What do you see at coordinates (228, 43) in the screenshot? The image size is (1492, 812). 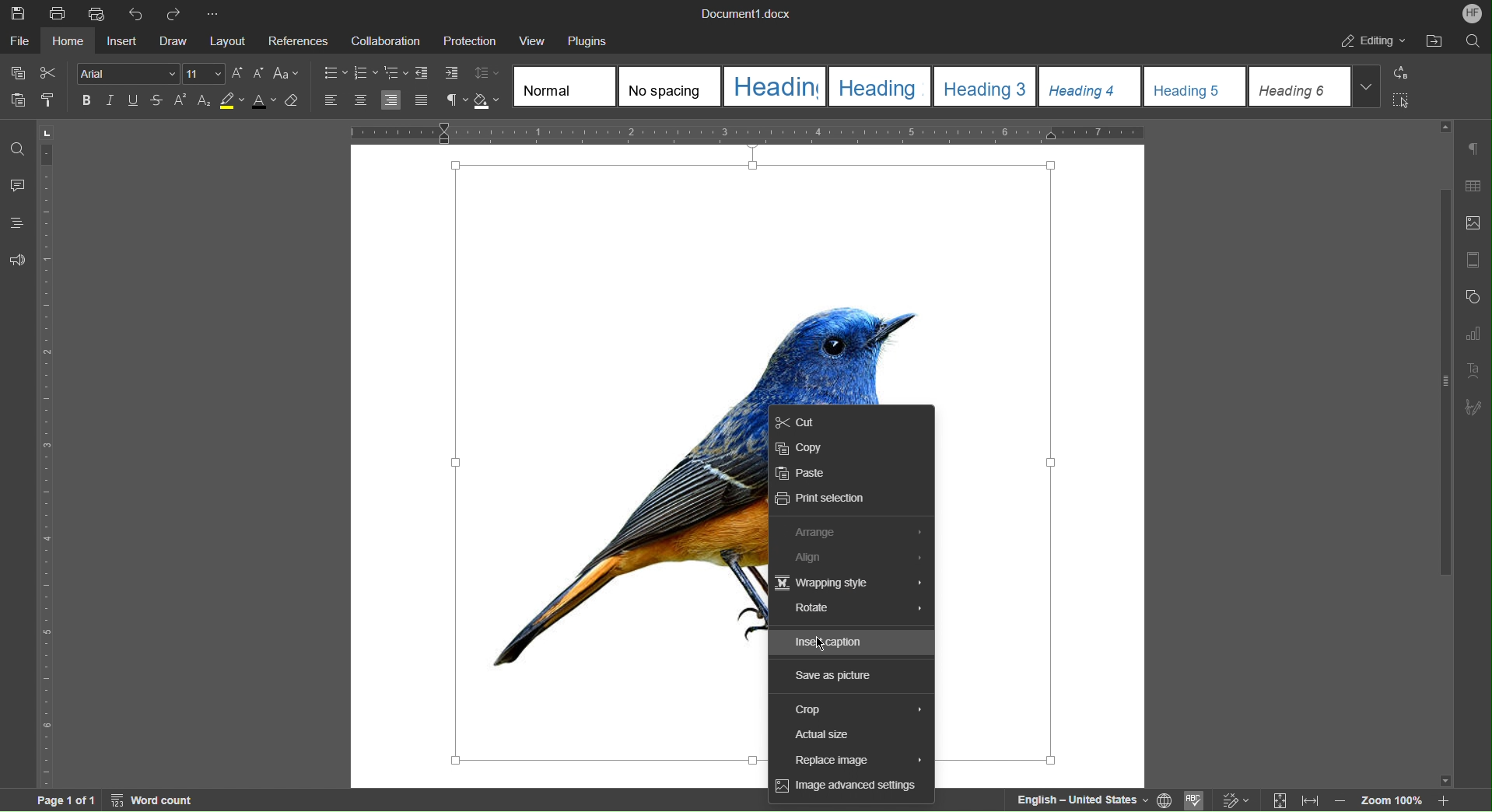 I see `Layout` at bounding box center [228, 43].